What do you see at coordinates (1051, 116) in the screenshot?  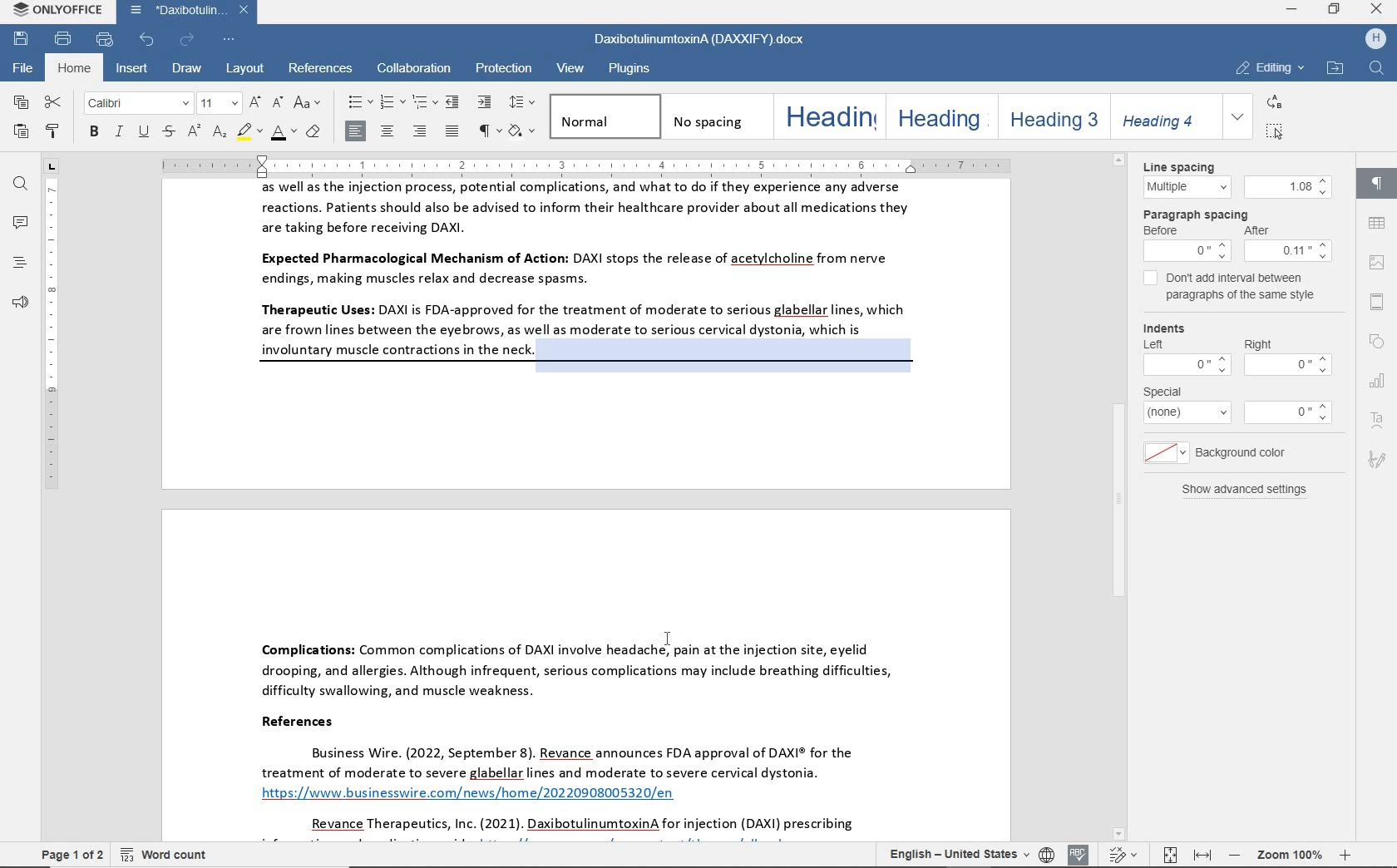 I see `heading 3` at bounding box center [1051, 116].